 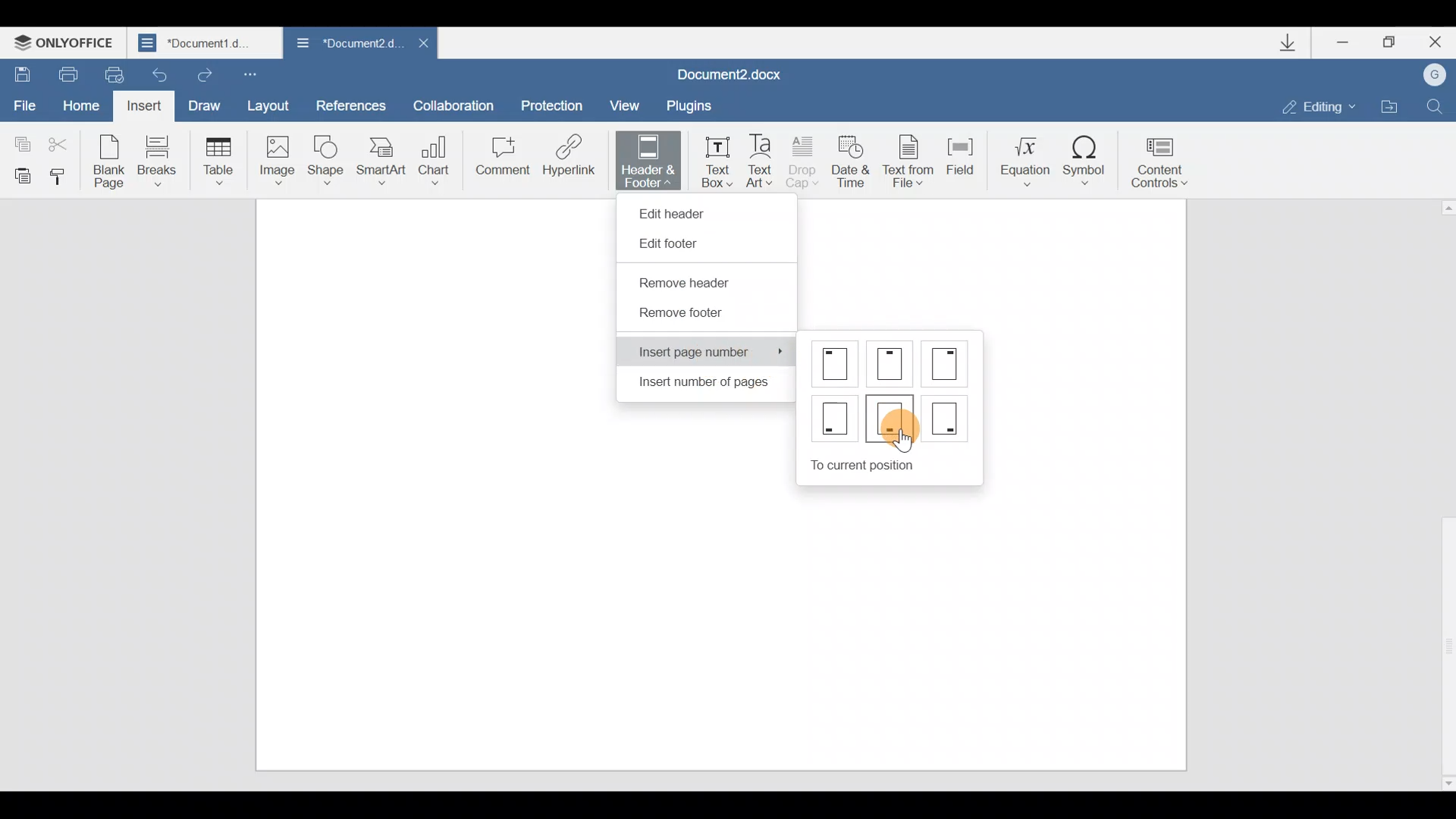 I want to click on Open file location, so click(x=1392, y=105).